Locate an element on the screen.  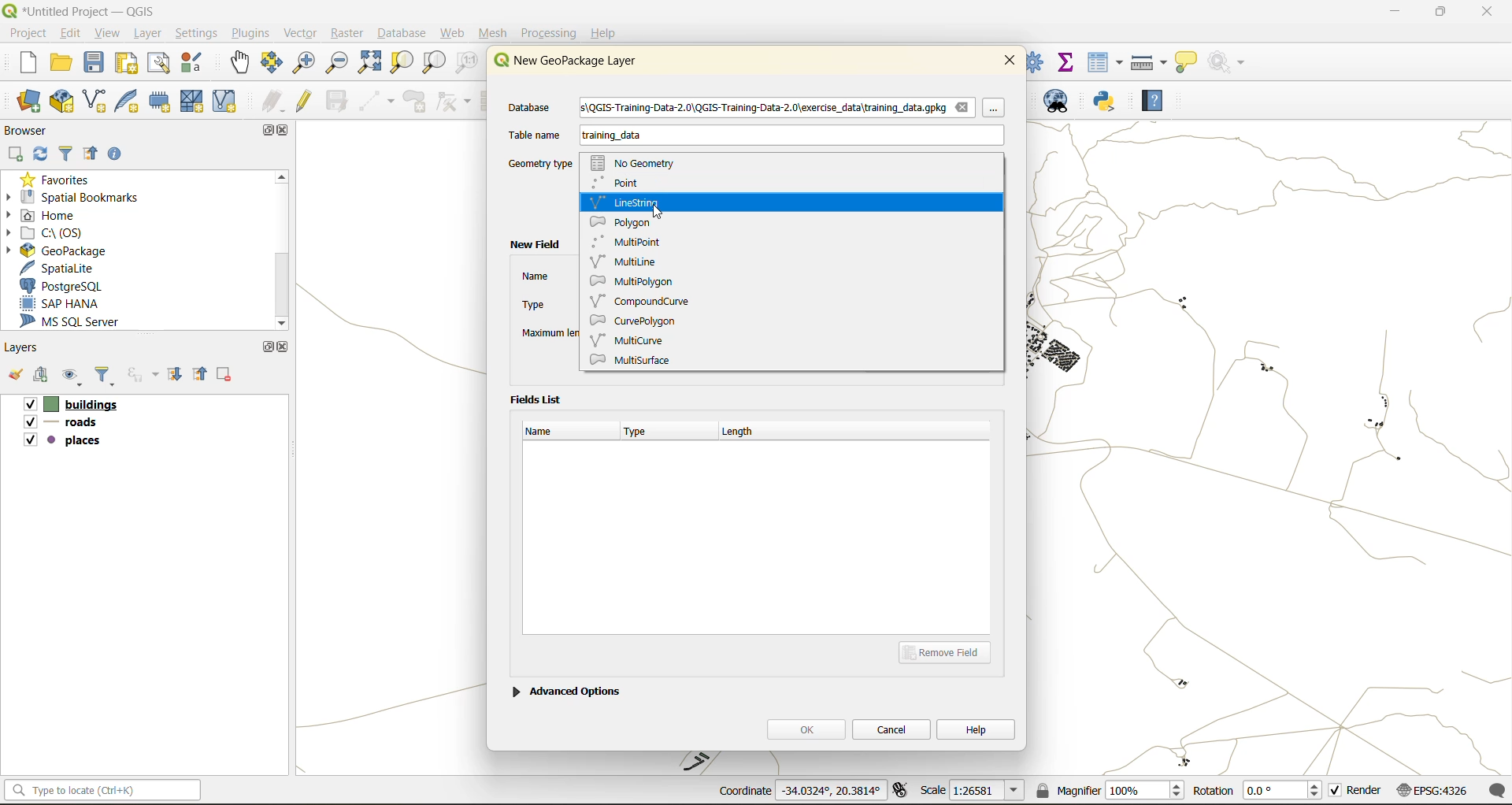
scale(1:26581) is located at coordinates (973, 790).